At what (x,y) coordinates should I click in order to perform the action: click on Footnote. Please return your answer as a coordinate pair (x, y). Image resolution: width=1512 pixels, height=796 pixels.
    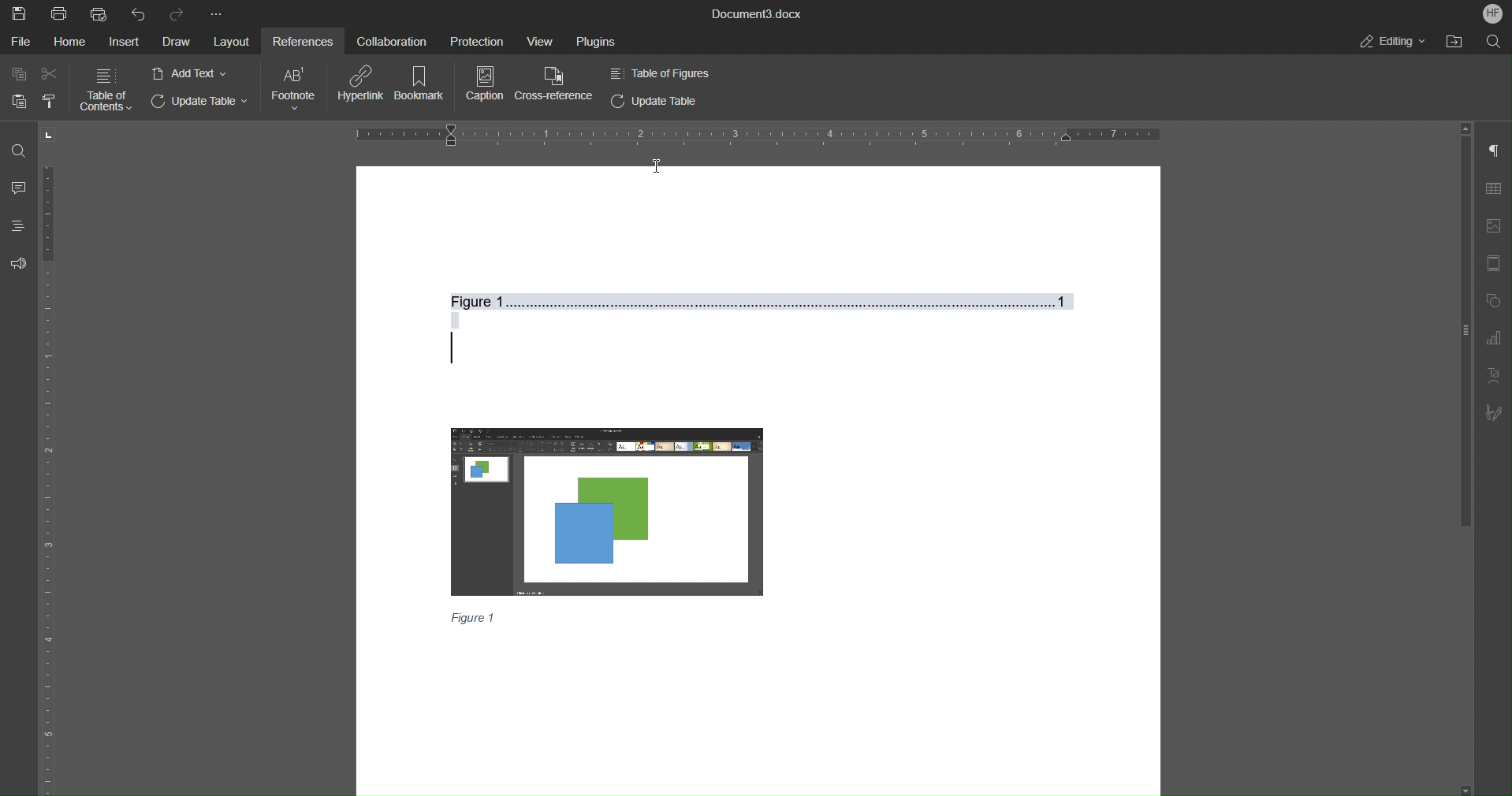
    Looking at the image, I should click on (295, 88).